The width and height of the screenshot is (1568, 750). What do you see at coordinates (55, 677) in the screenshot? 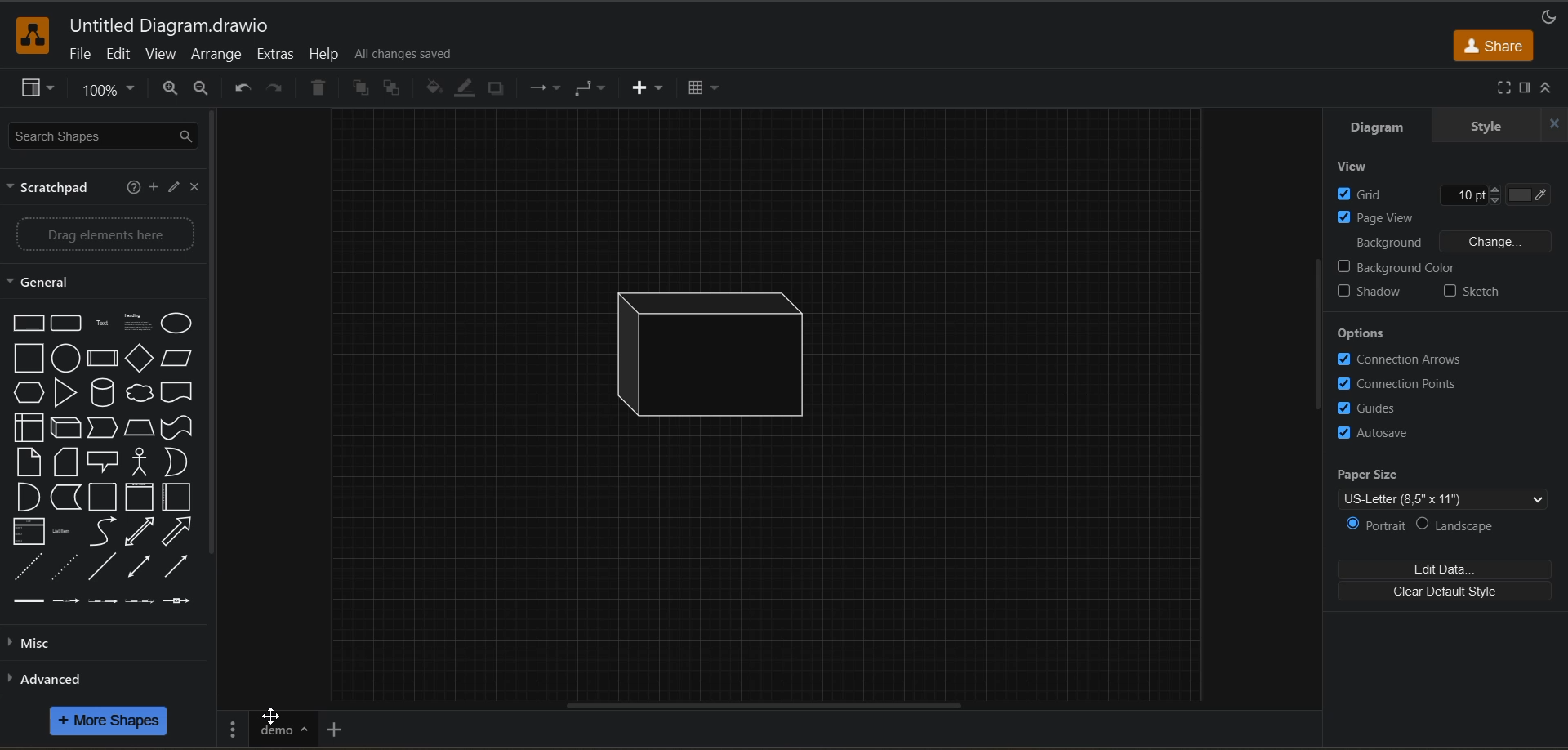
I see `advanced` at bounding box center [55, 677].